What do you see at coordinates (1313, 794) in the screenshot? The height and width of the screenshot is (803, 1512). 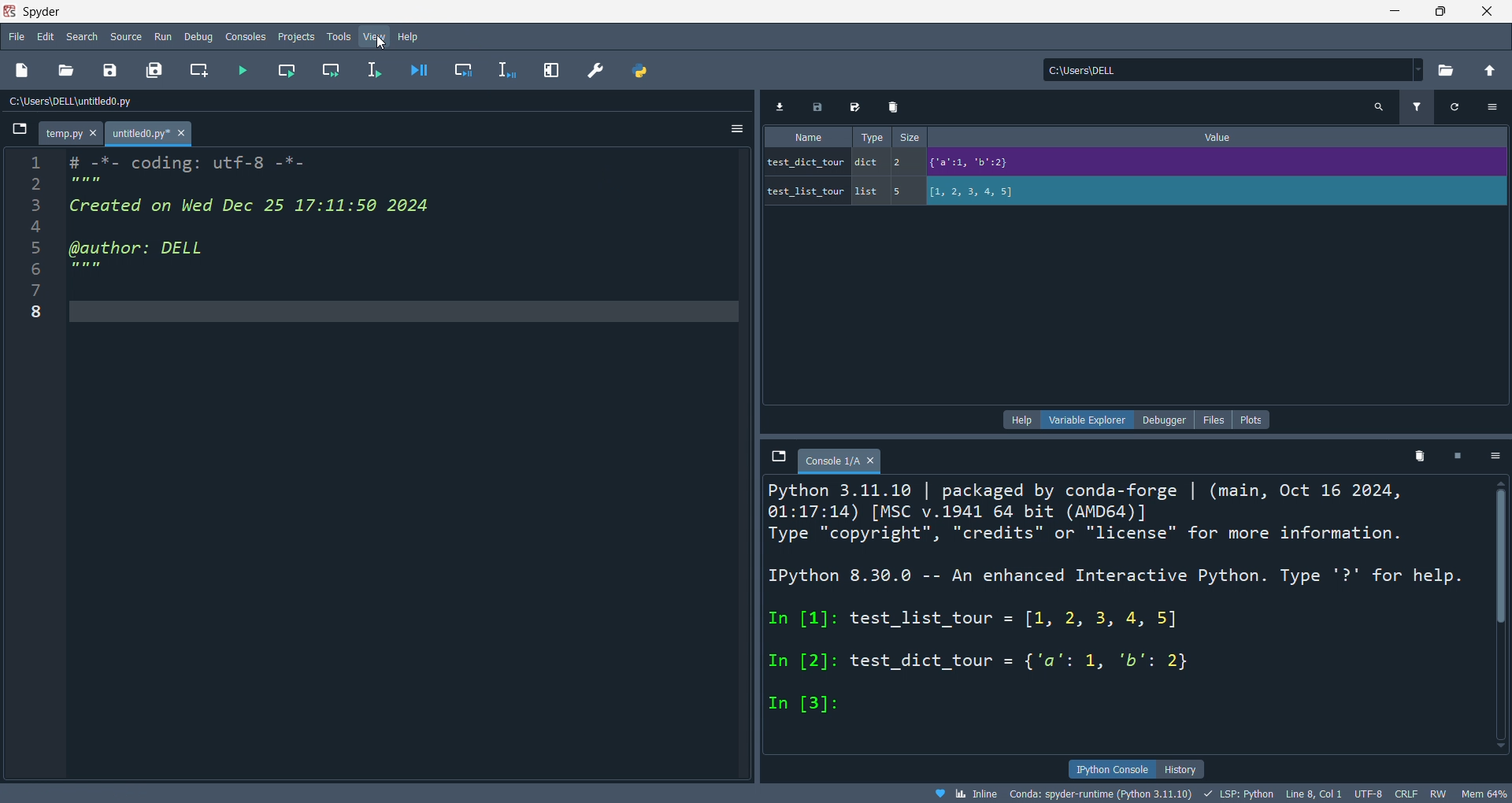 I see `cursor position` at bounding box center [1313, 794].